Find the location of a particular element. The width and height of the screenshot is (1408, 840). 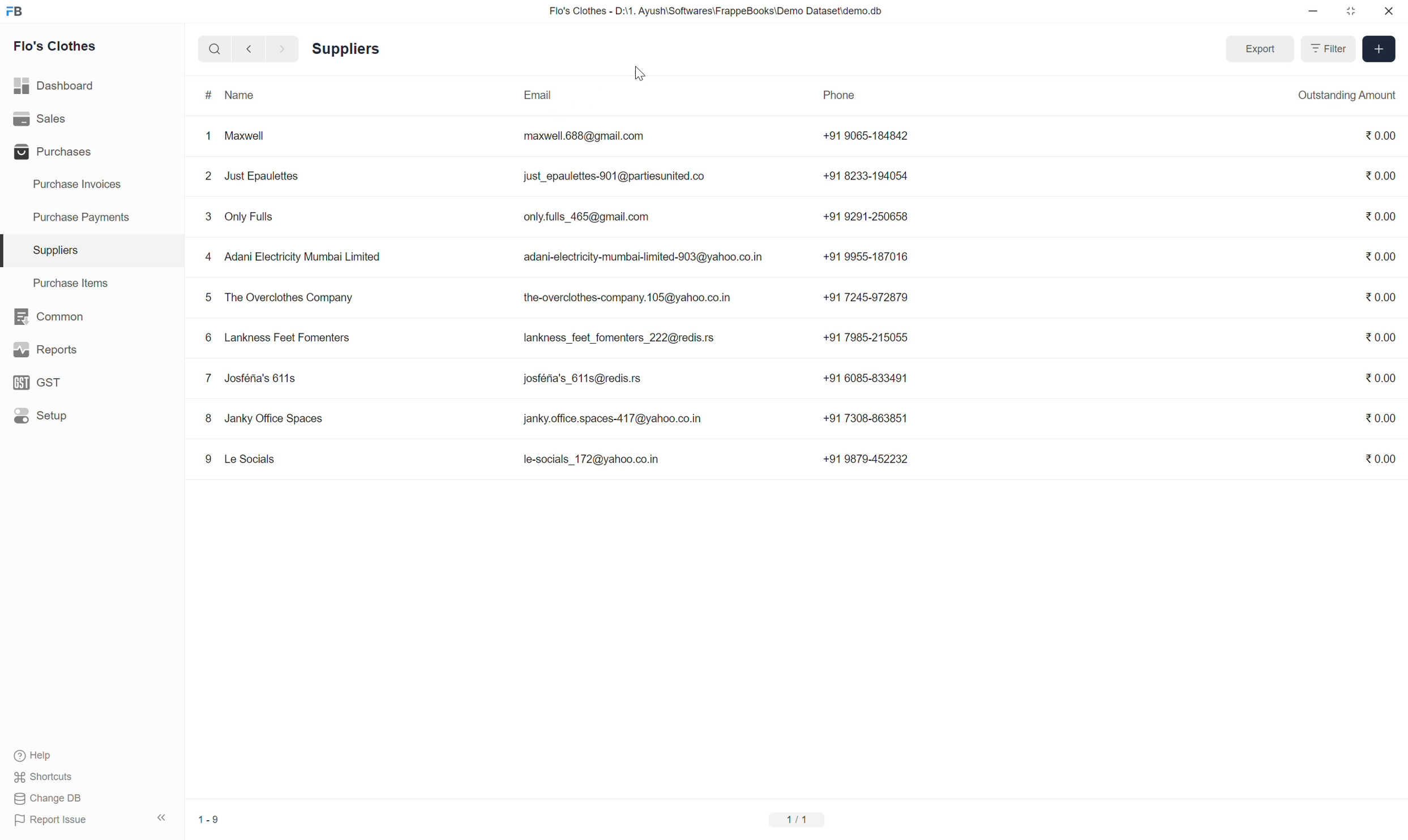

Adani Electricity Mumbai Limited is located at coordinates (305, 258).